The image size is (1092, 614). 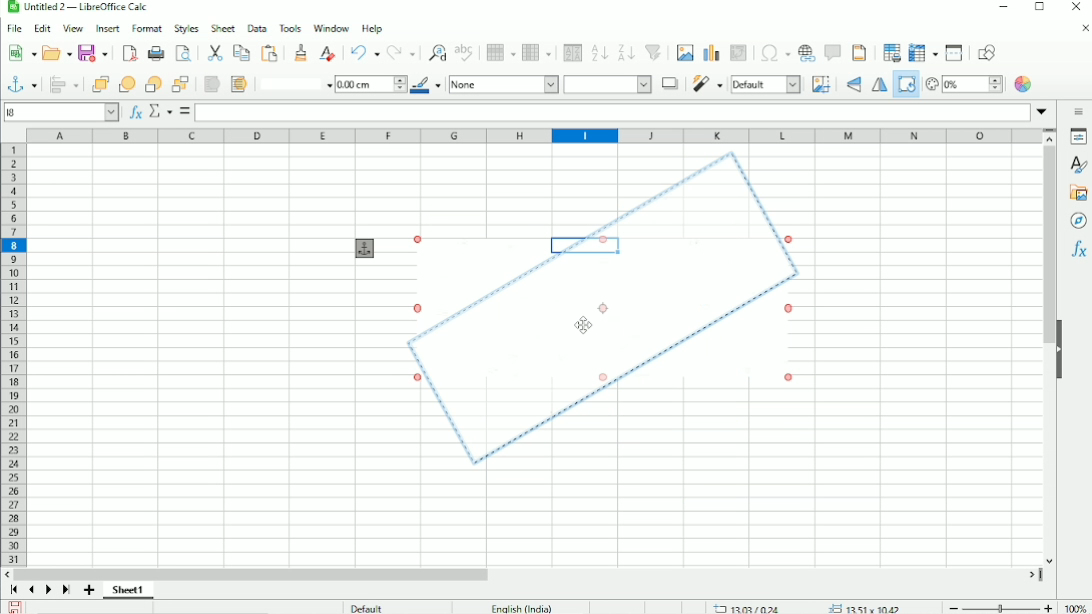 I want to click on Edit, so click(x=42, y=29).